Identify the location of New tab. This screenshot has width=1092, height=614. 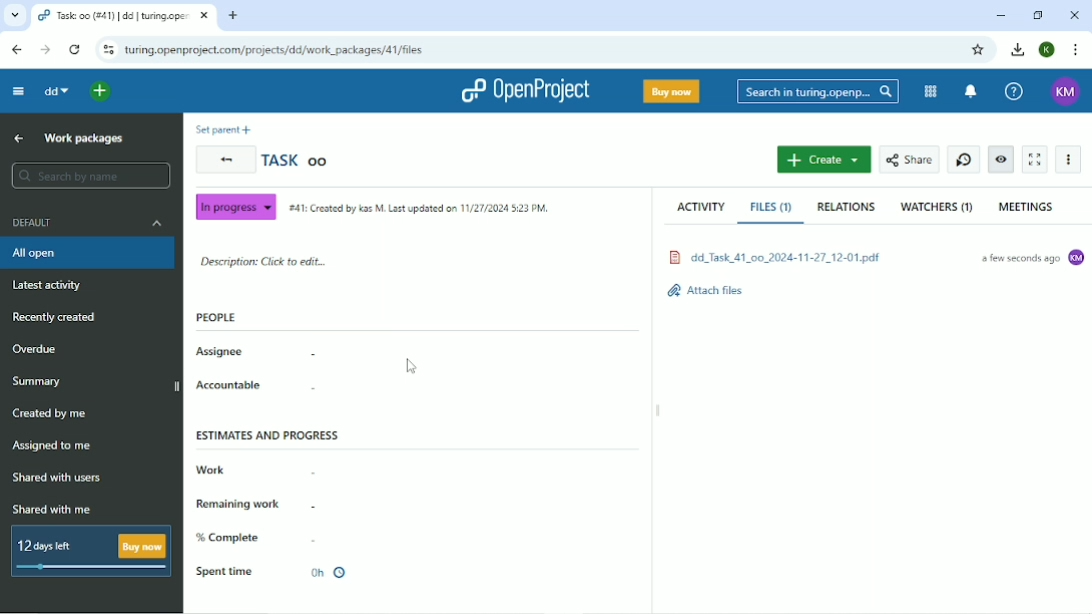
(235, 16).